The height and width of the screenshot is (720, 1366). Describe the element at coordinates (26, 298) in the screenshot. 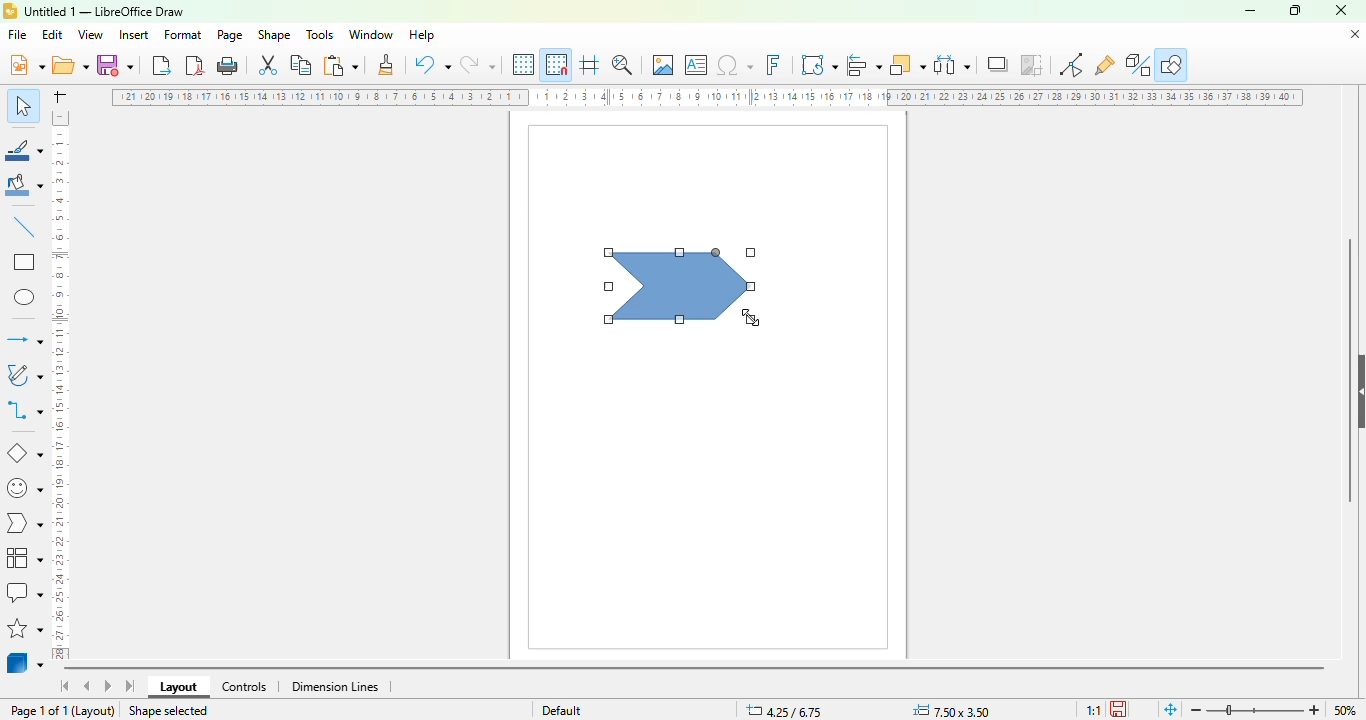

I see `ellipse` at that location.